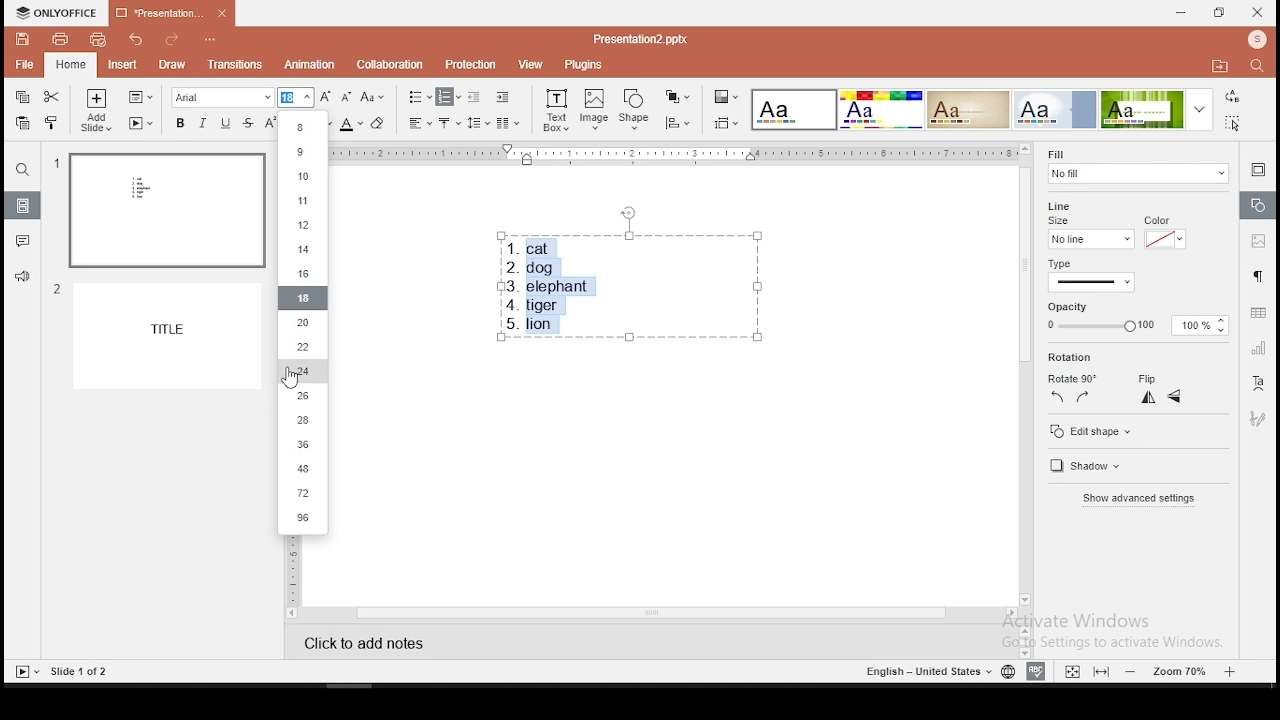  I want to click on theme , so click(880, 109).